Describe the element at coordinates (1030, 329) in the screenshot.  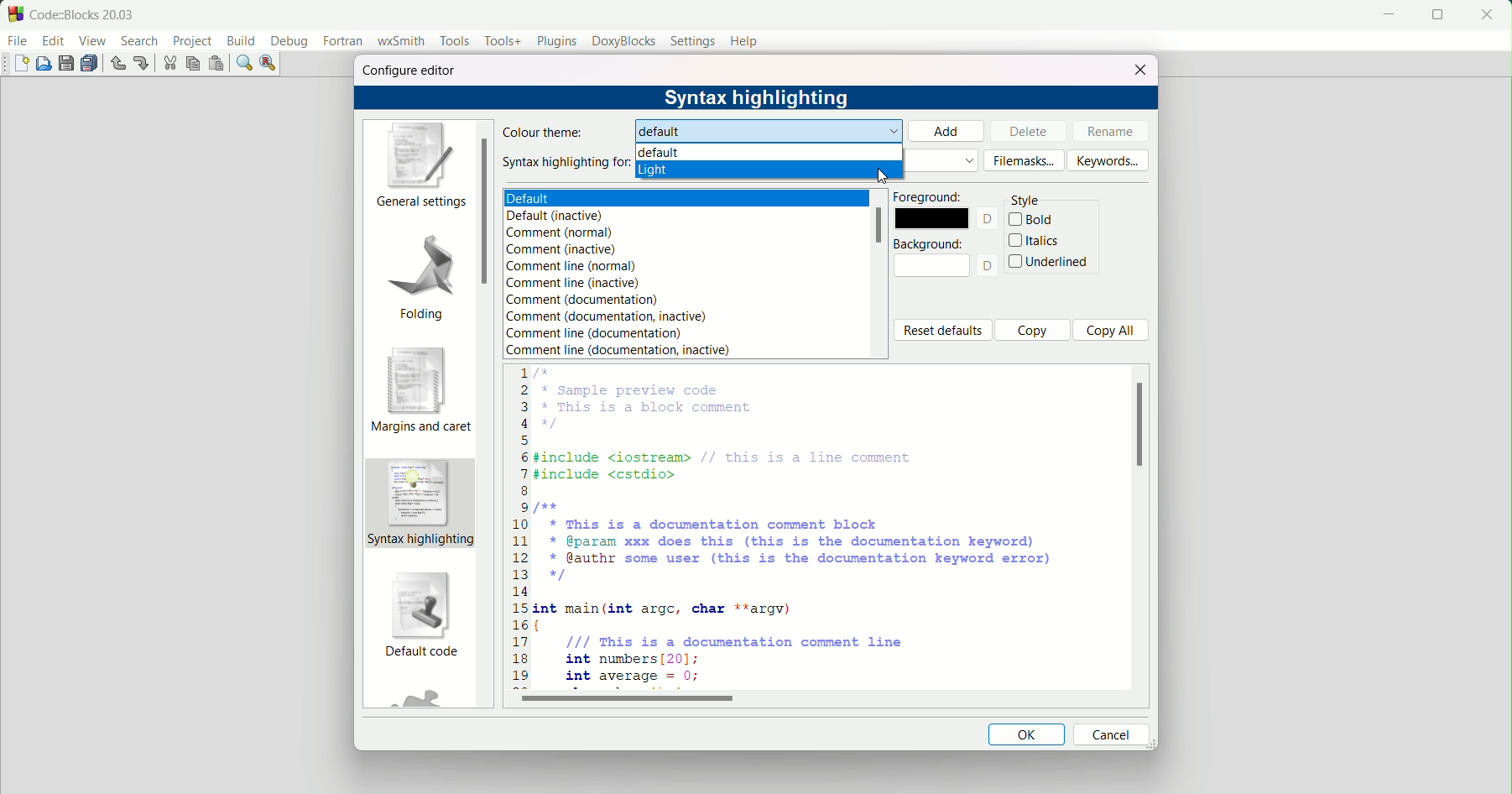
I see `copy` at that location.